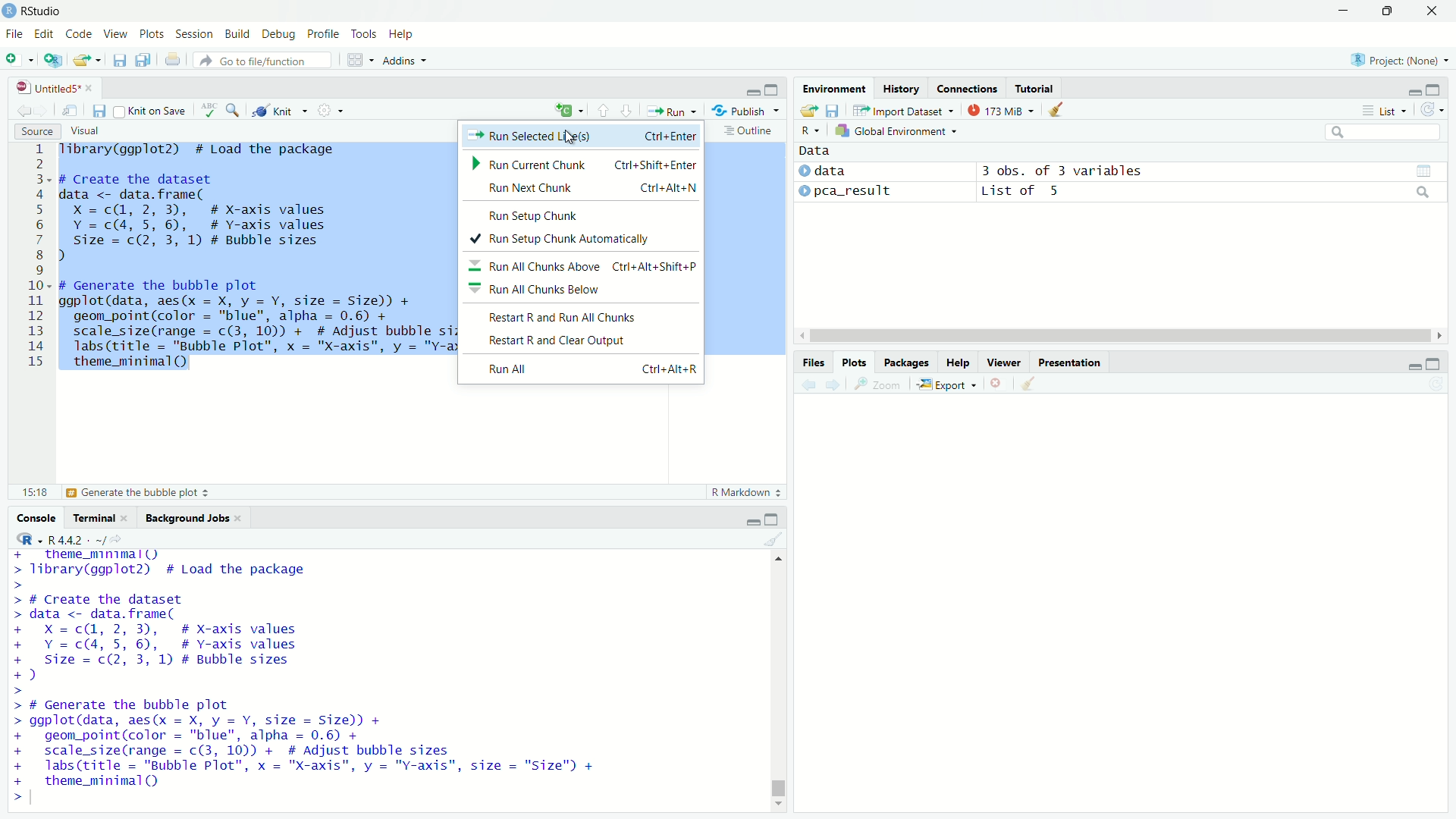 Image resolution: width=1456 pixels, height=819 pixels. What do you see at coordinates (116, 493) in the screenshot?
I see `generate the bubble plot ` at bounding box center [116, 493].